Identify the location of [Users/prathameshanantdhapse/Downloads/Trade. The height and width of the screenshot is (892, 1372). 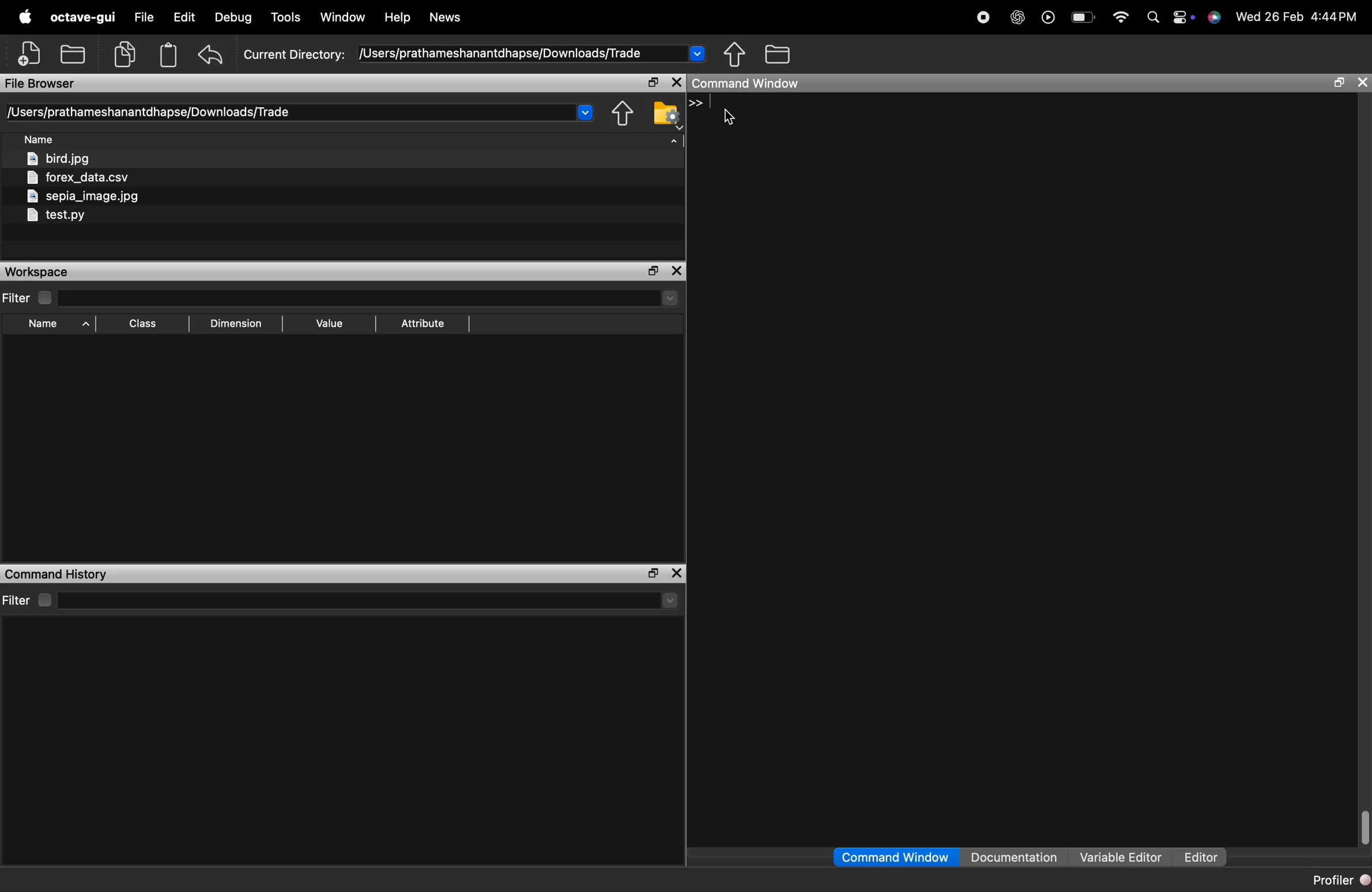
(151, 112).